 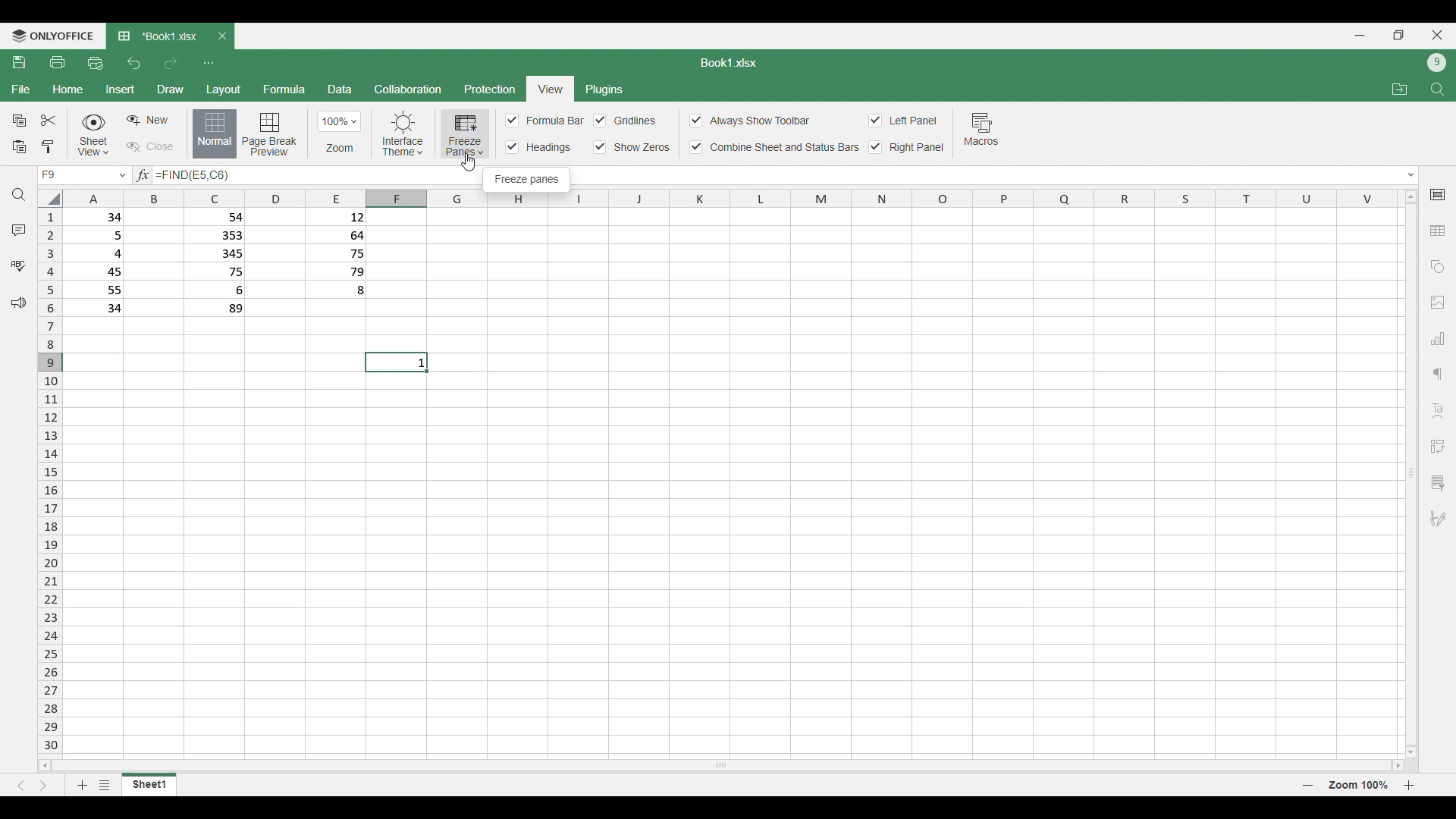 I want to click on Find, so click(x=1438, y=89).